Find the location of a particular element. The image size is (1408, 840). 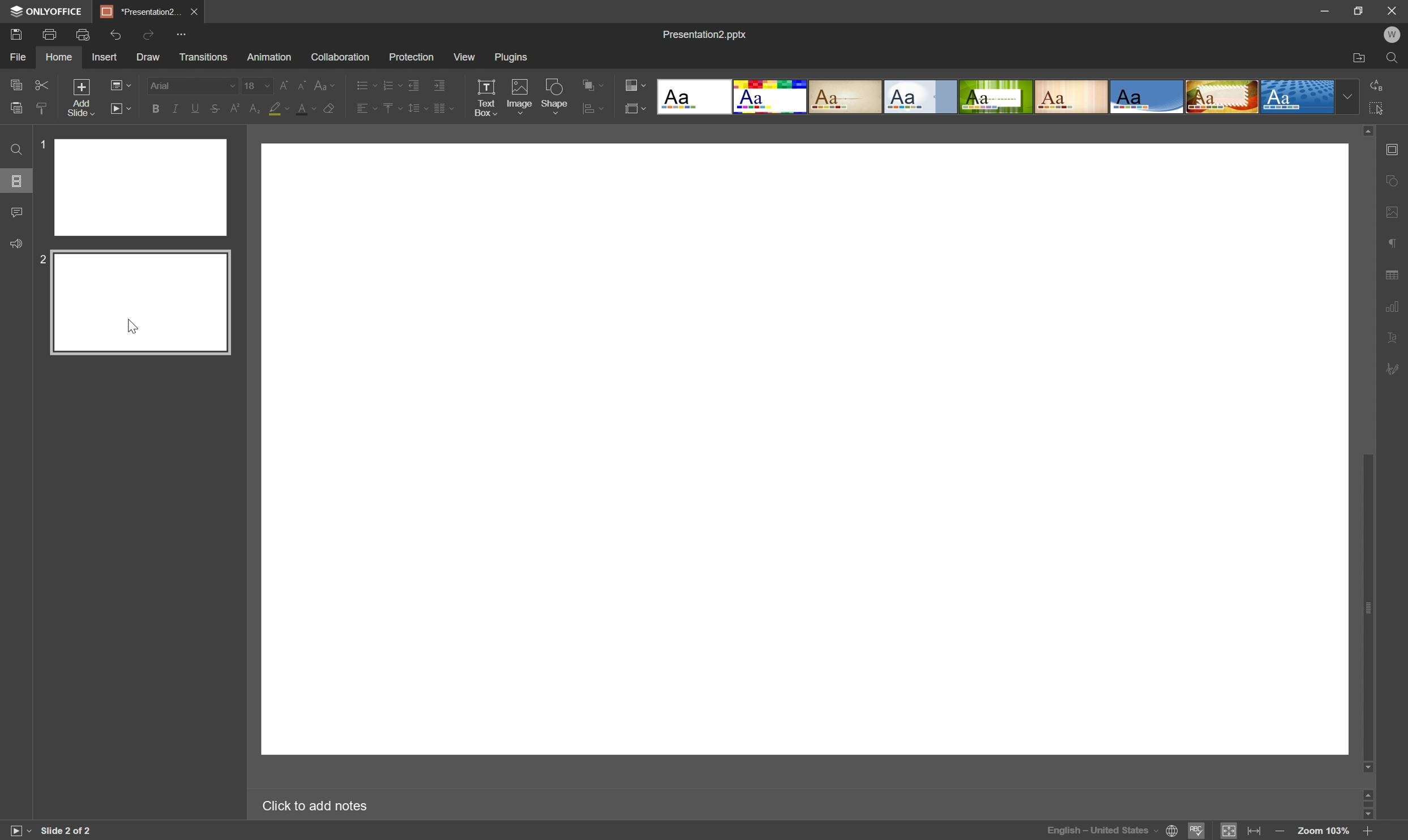

Align shape is located at coordinates (595, 82).